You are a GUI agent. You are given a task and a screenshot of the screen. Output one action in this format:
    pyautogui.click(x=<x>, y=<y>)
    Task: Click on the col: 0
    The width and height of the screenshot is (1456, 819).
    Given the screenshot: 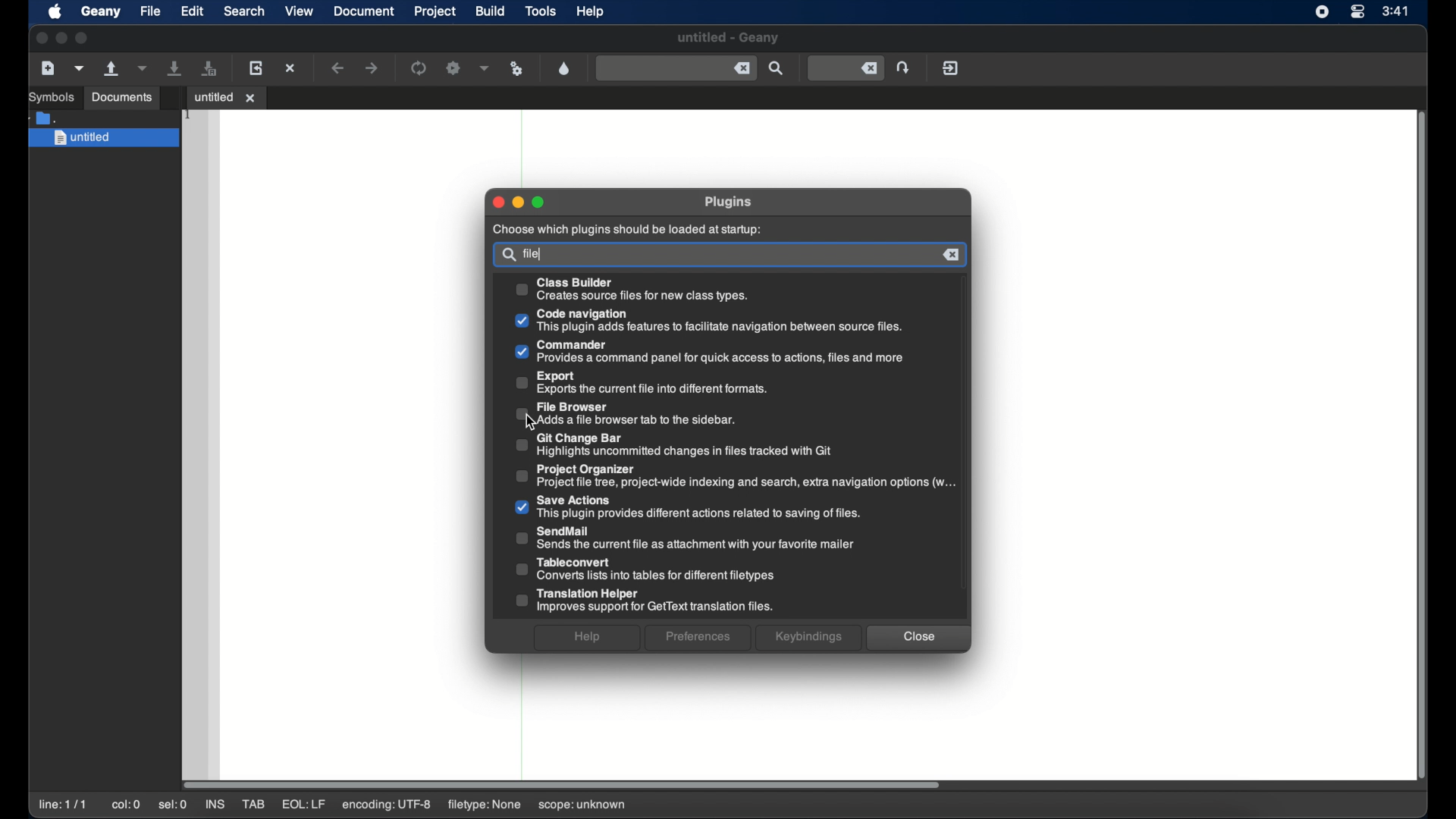 What is the action you would take?
    pyautogui.click(x=126, y=805)
    